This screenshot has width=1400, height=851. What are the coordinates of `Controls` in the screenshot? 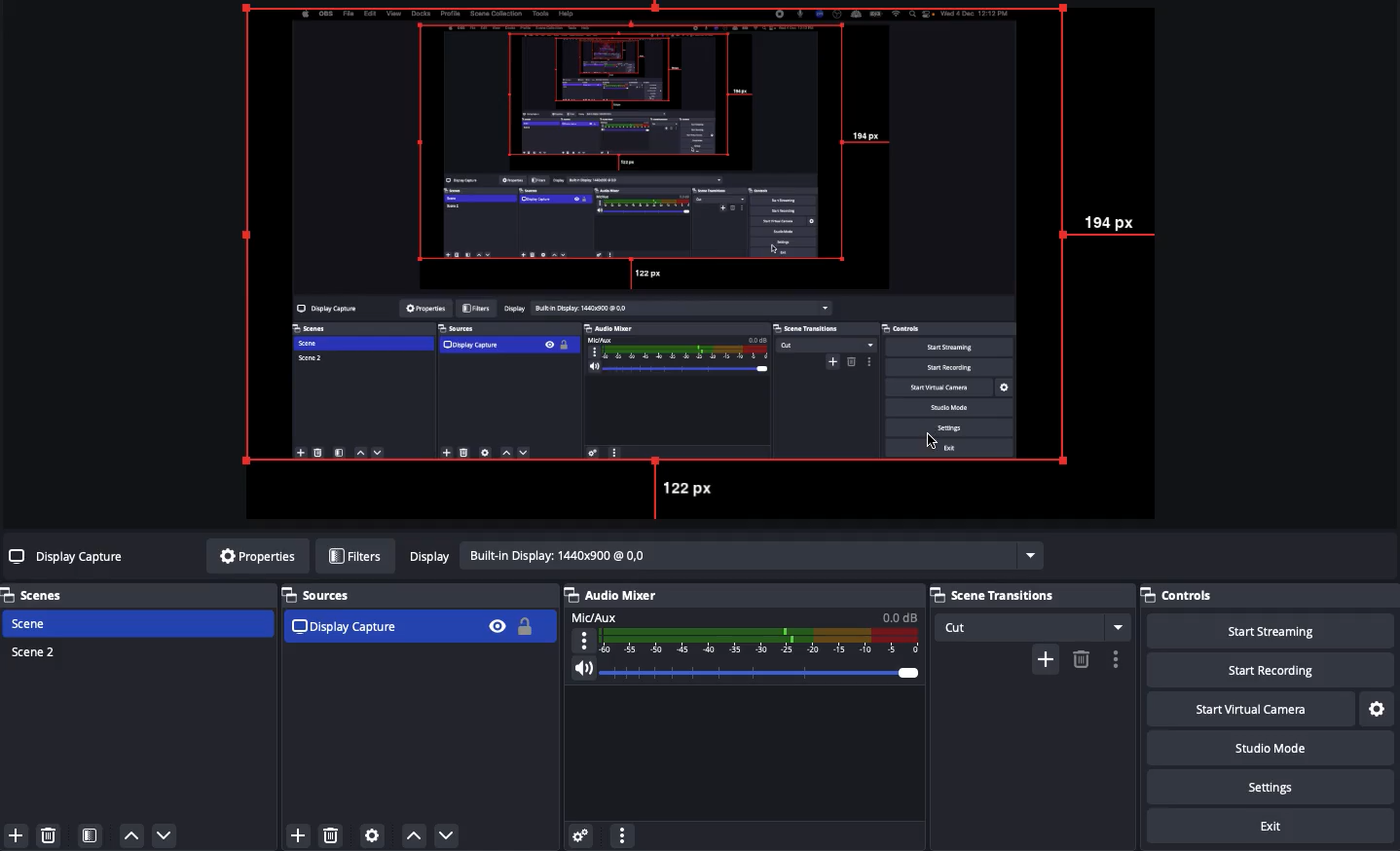 It's located at (1201, 597).